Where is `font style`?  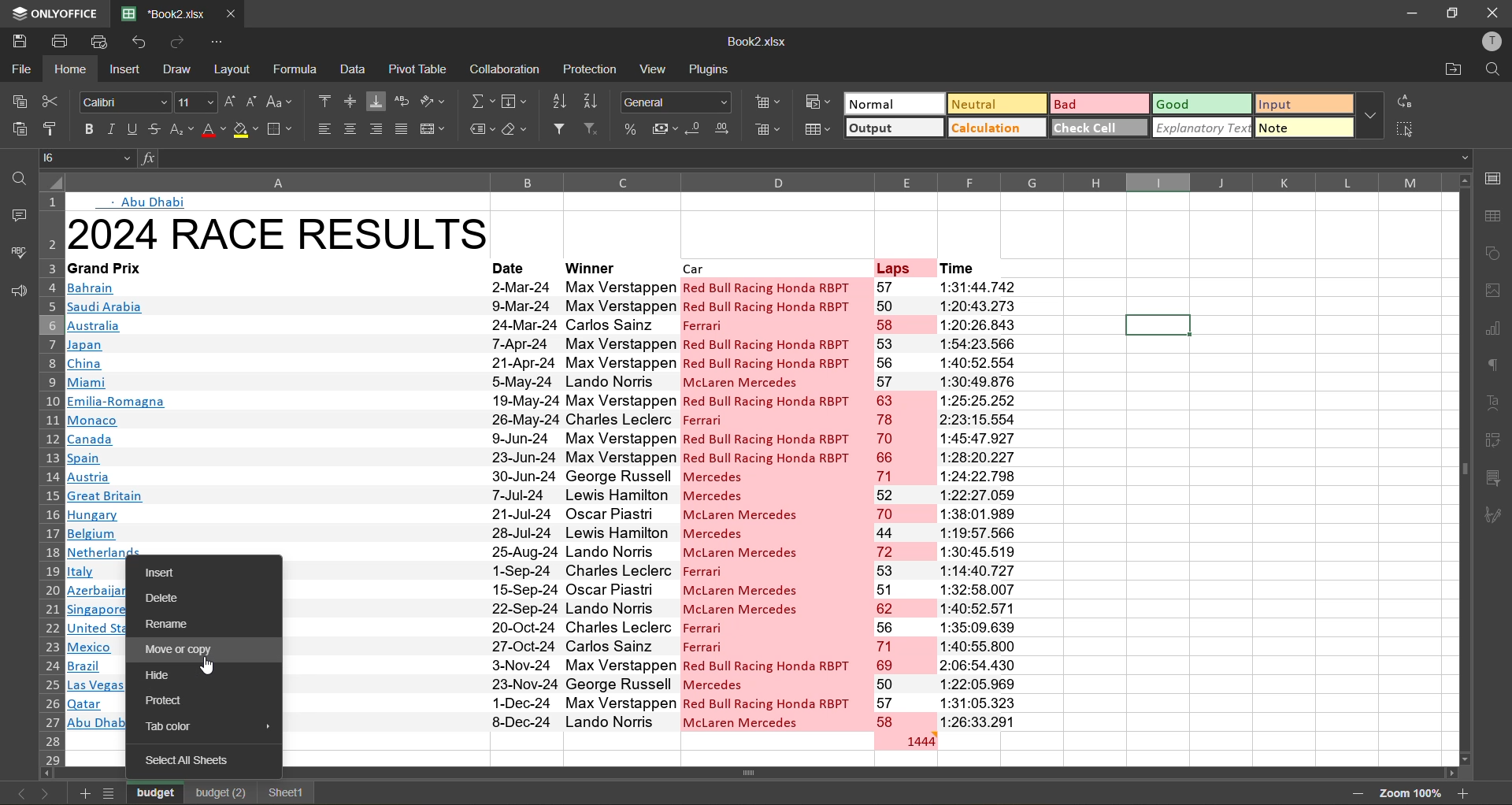 font style is located at coordinates (126, 103).